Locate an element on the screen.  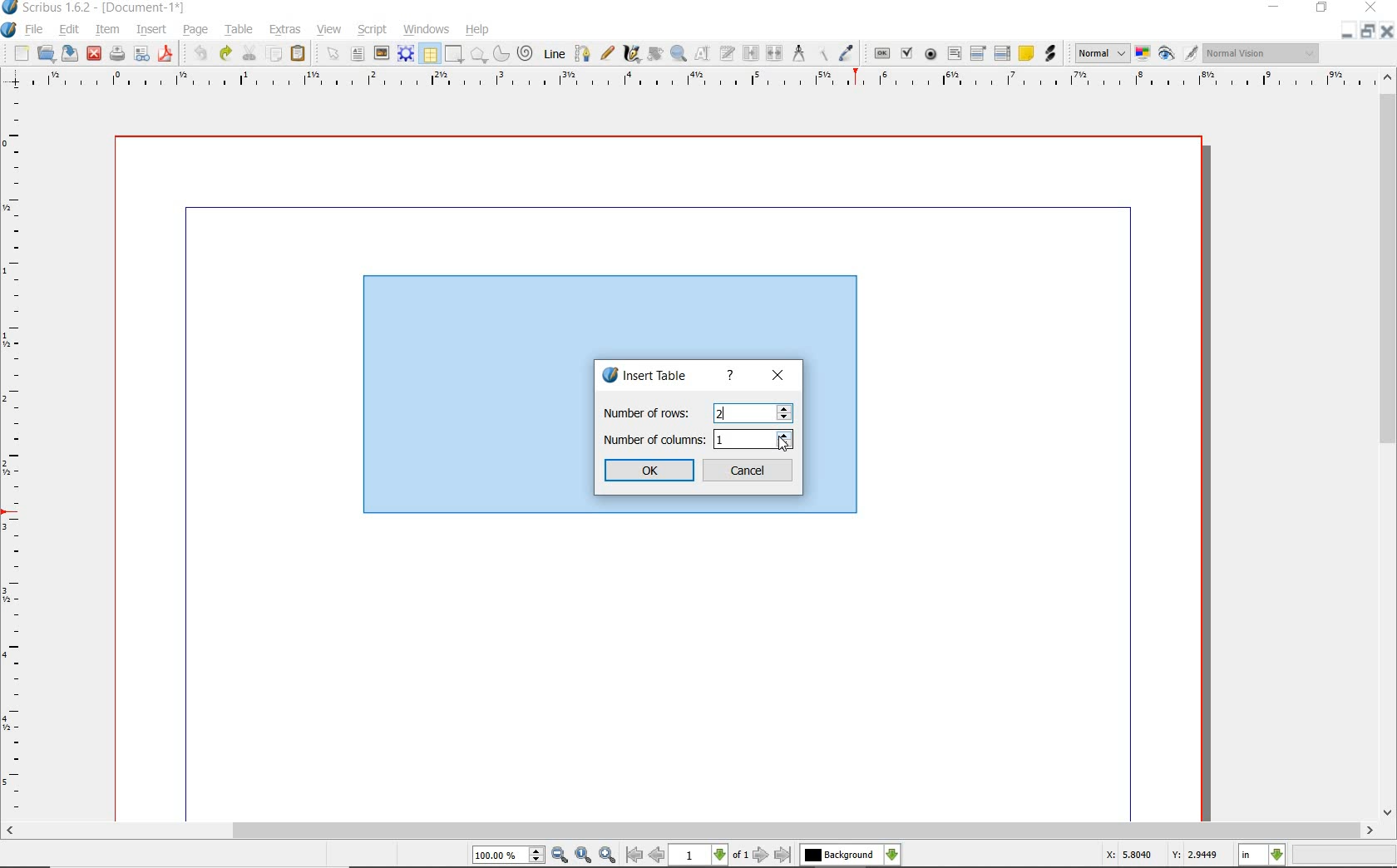
redo is located at coordinates (225, 52).